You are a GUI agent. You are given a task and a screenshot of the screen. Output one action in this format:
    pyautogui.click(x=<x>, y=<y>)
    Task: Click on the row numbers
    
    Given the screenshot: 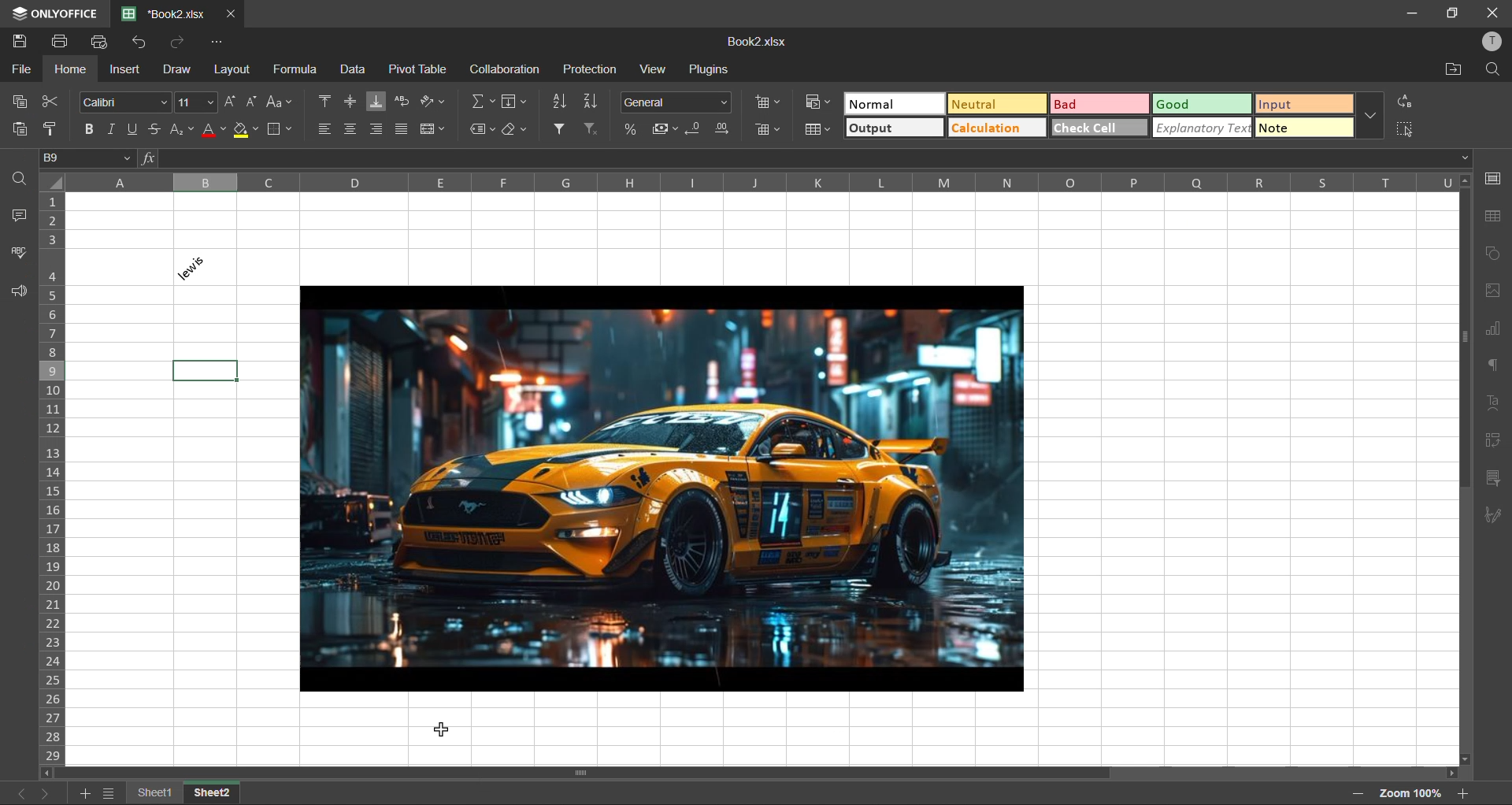 What is the action you would take?
    pyautogui.click(x=51, y=478)
    